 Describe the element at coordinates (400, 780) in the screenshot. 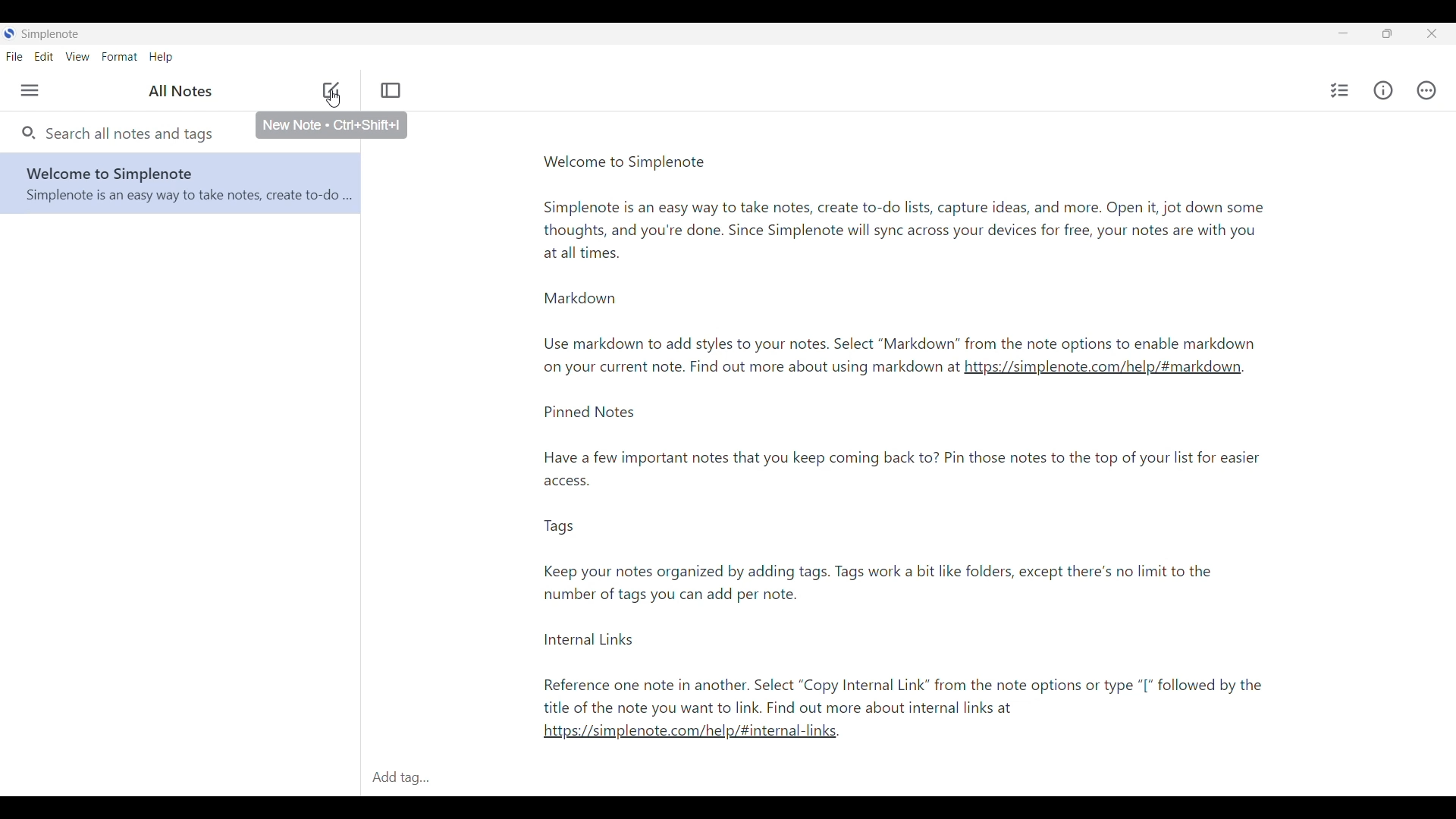

I see `Add tag` at that location.